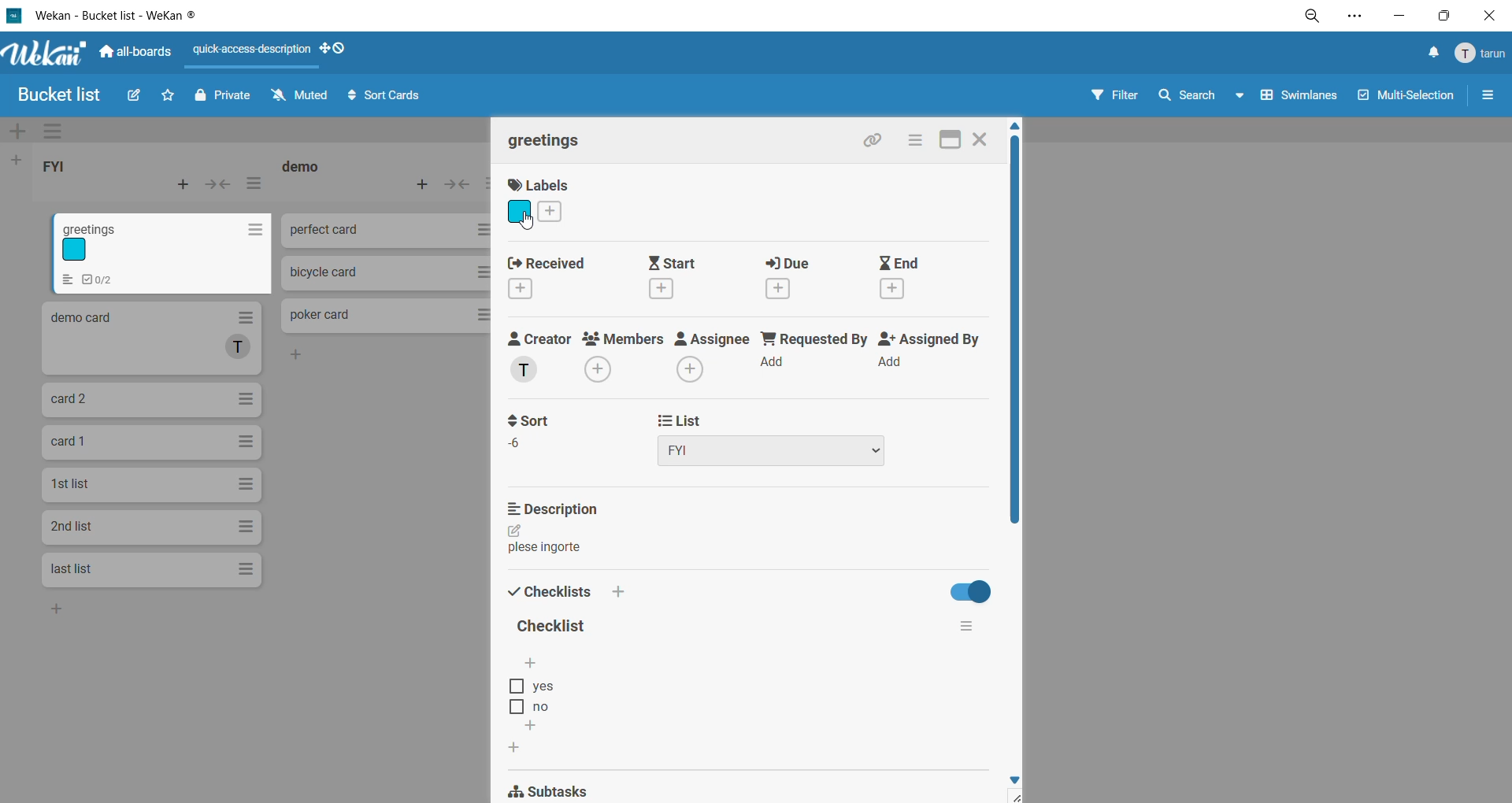 Image resolution: width=1512 pixels, height=803 pixels. What do you see at coordinates (50, 132) in the screenshot?
I see `swimlane actions` at bounding box center [50, 132].